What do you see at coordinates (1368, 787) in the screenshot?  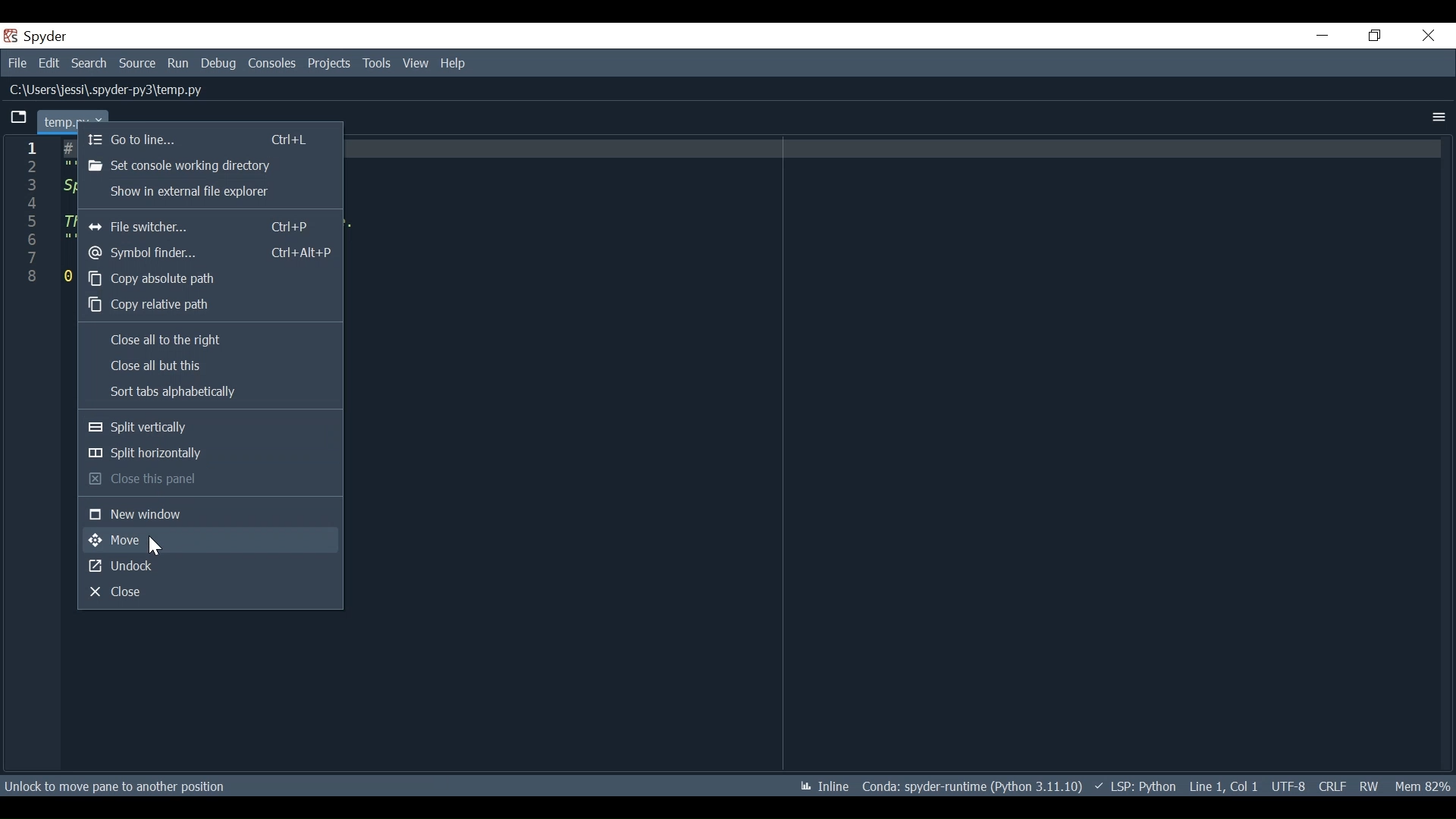 I see `File Permission` at bounding box center [1368, 787].